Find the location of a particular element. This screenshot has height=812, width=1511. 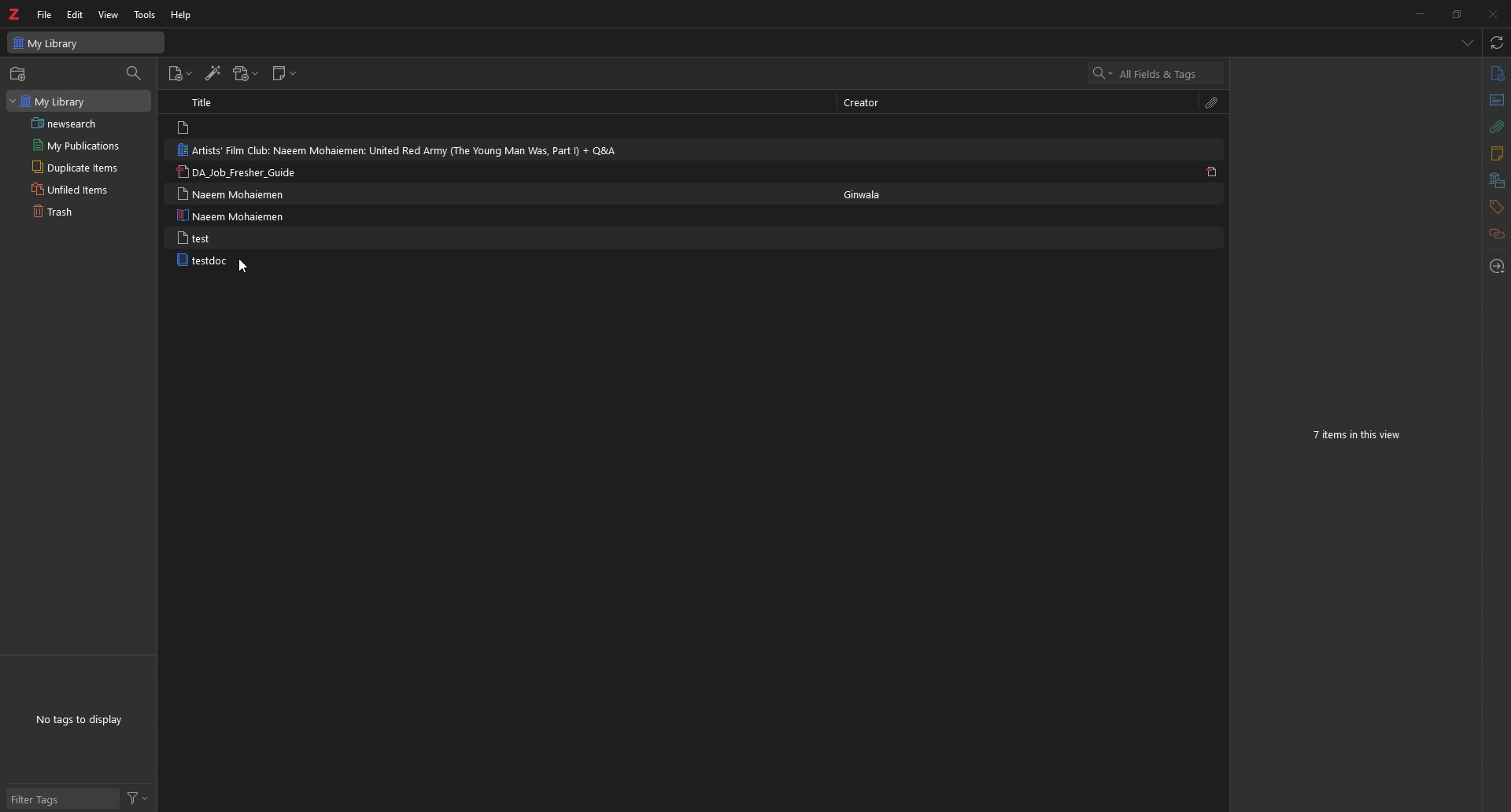

add attachment is located at coordinates (245, 74).